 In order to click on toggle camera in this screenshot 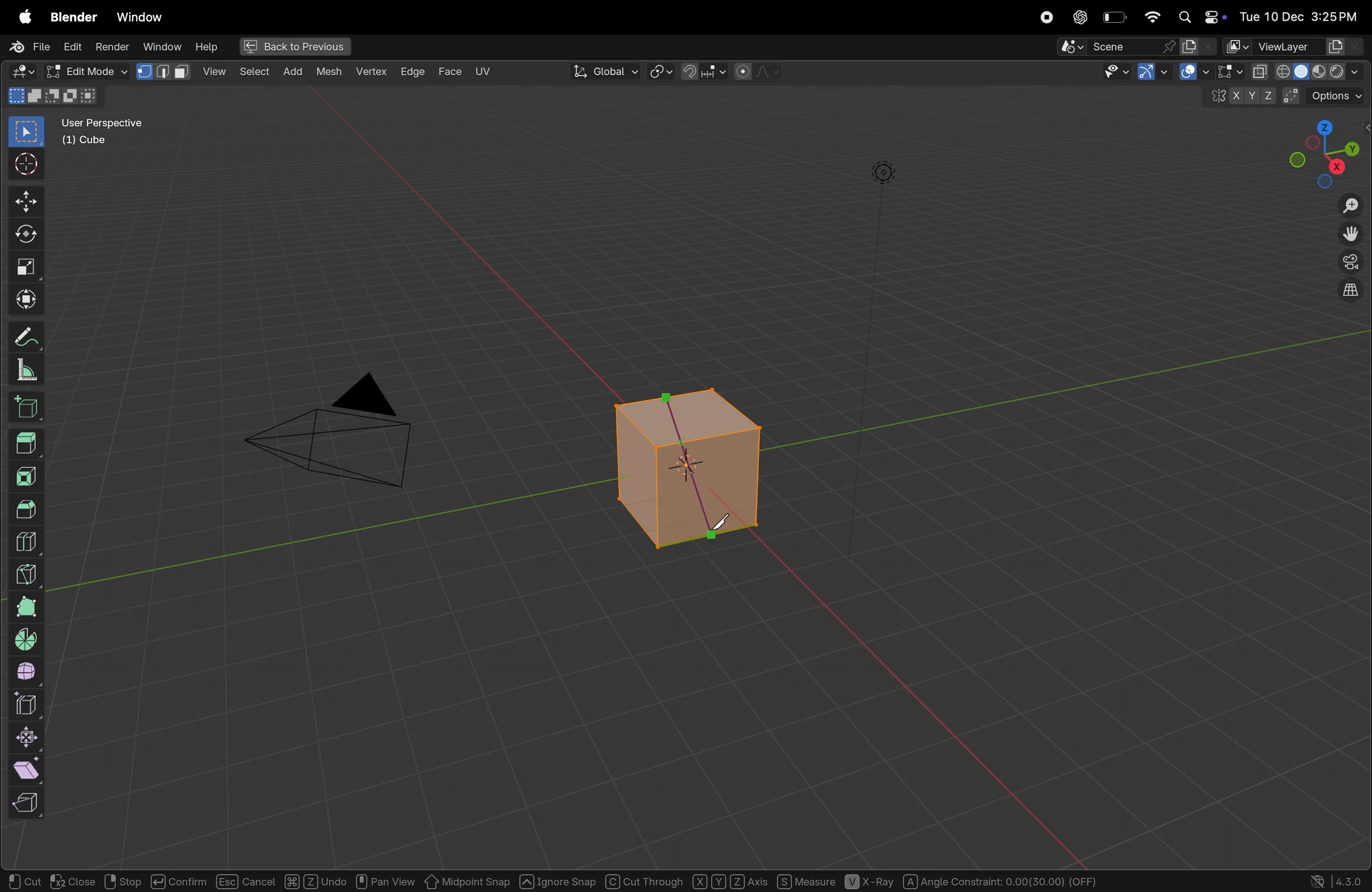, I will do `click(1349, 263)`.